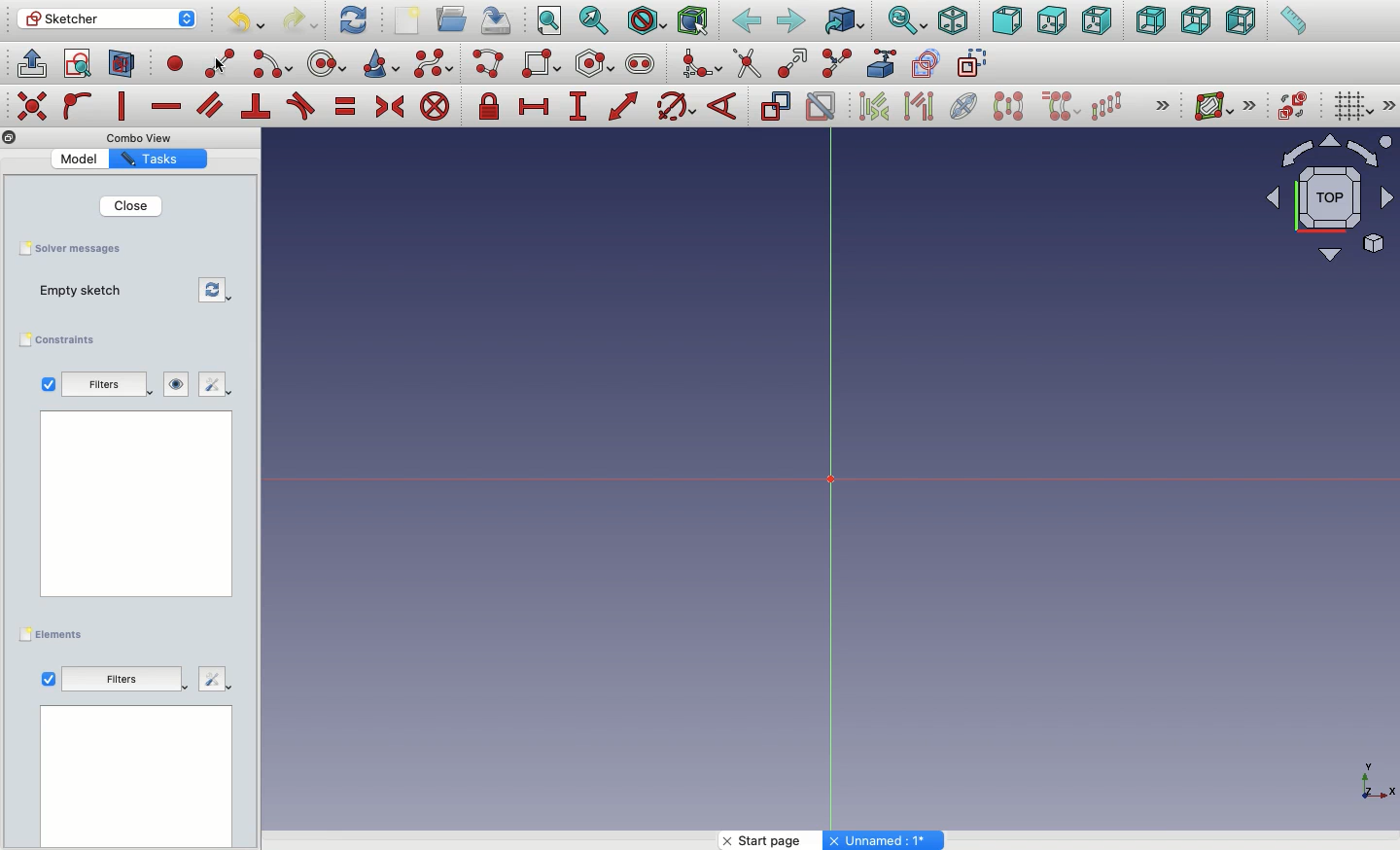 The image size is (1400, 850). I want to click on Checkbox, so click(47, 384).